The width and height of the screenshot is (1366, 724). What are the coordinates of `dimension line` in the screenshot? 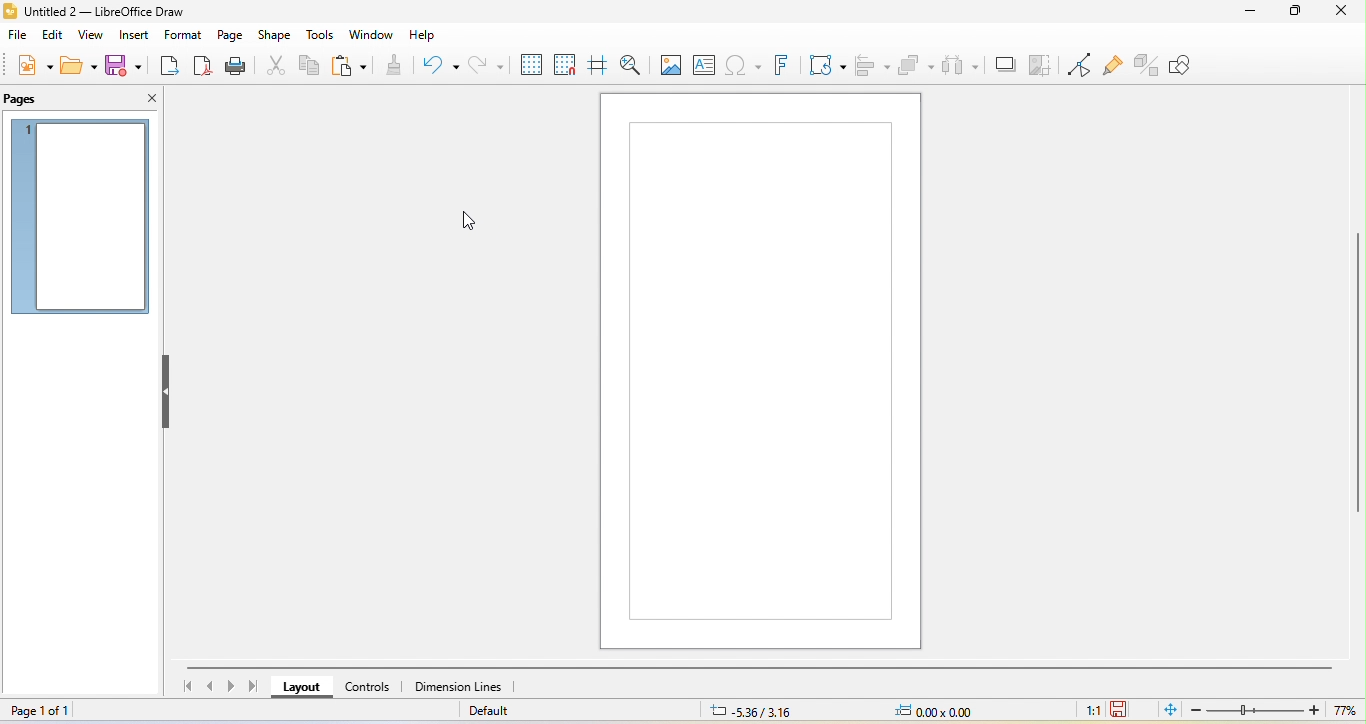 It's located at (459, 688).